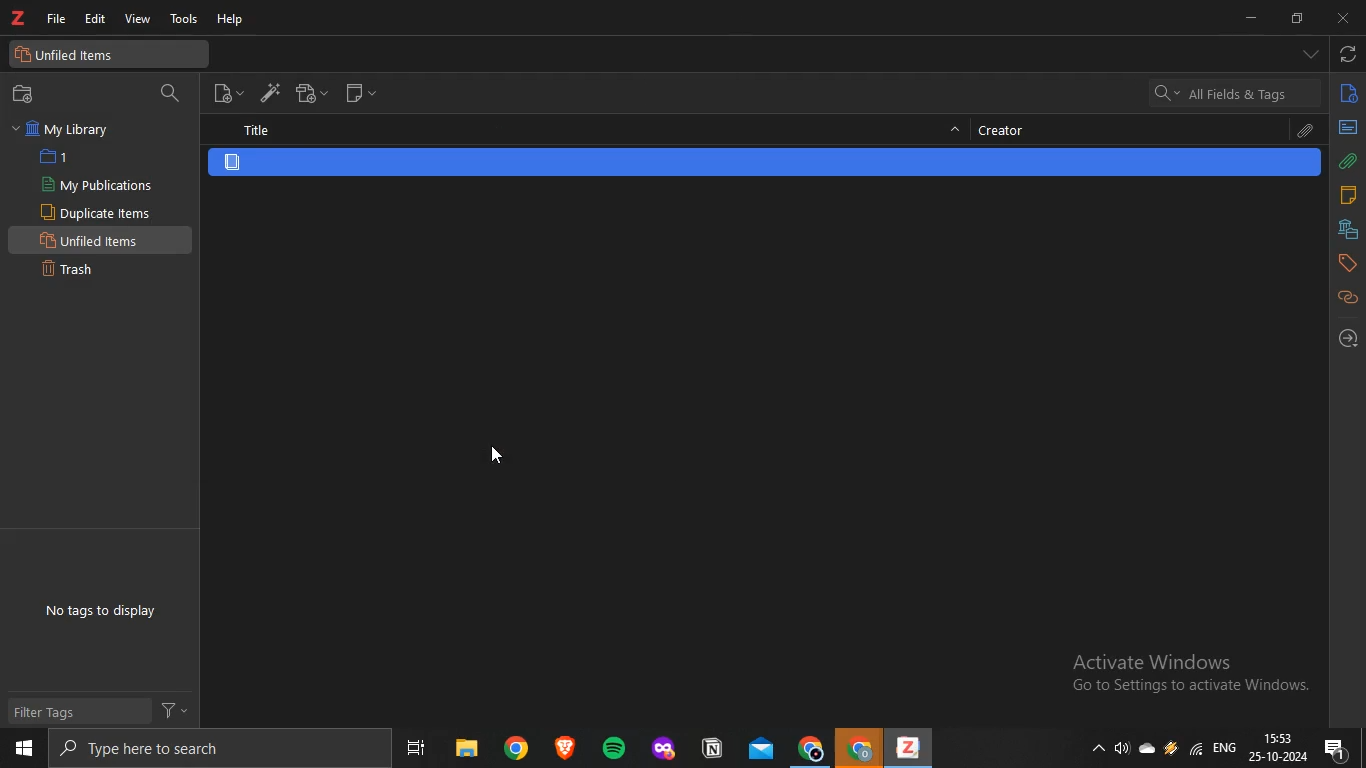  Describe the element at coordinates (1009, 129) in the screenshot. I see `creator` at that location.